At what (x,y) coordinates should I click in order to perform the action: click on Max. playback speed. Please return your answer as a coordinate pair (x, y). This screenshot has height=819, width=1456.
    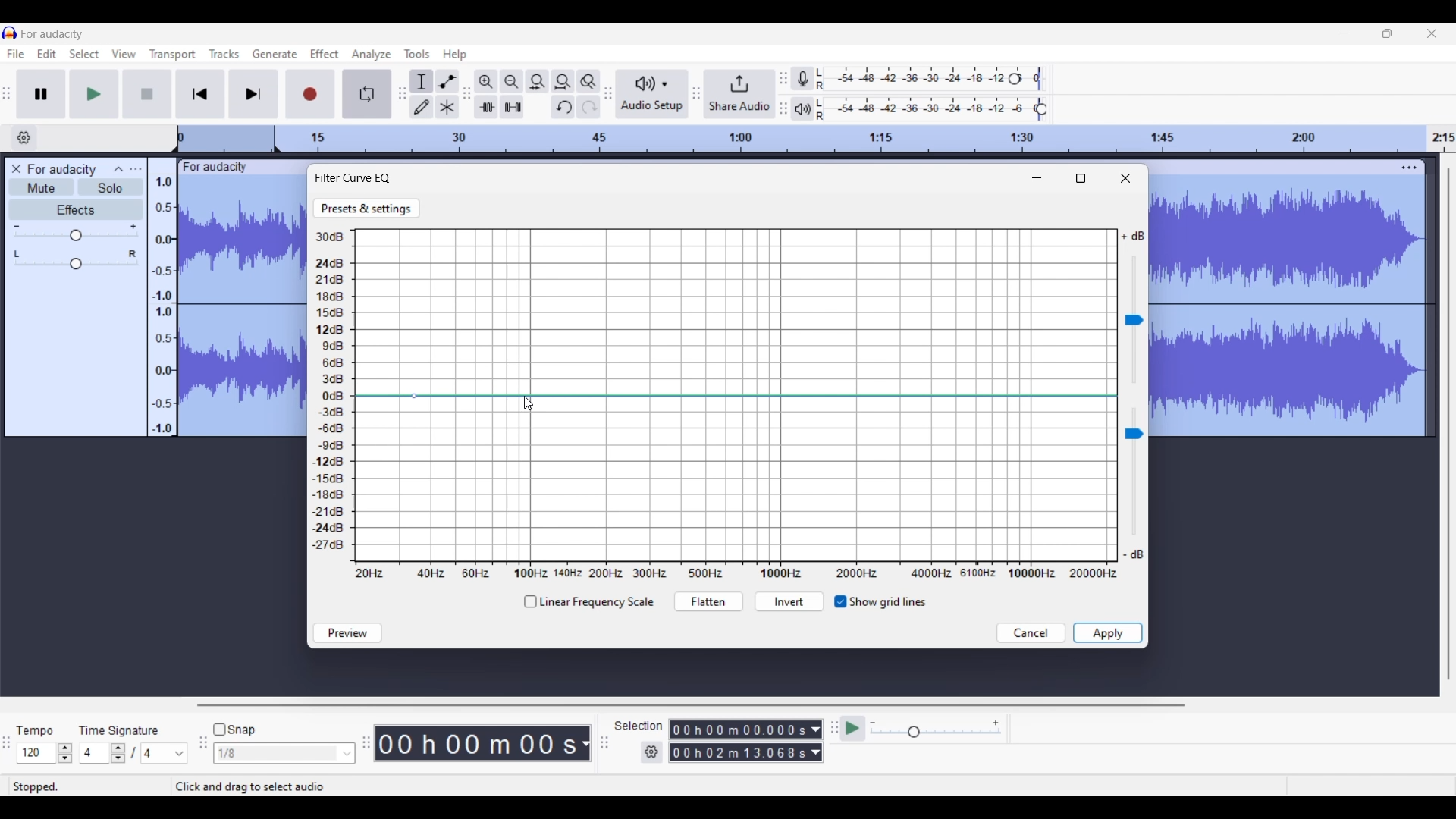
    Looking at the image, I should click on (996, 723).